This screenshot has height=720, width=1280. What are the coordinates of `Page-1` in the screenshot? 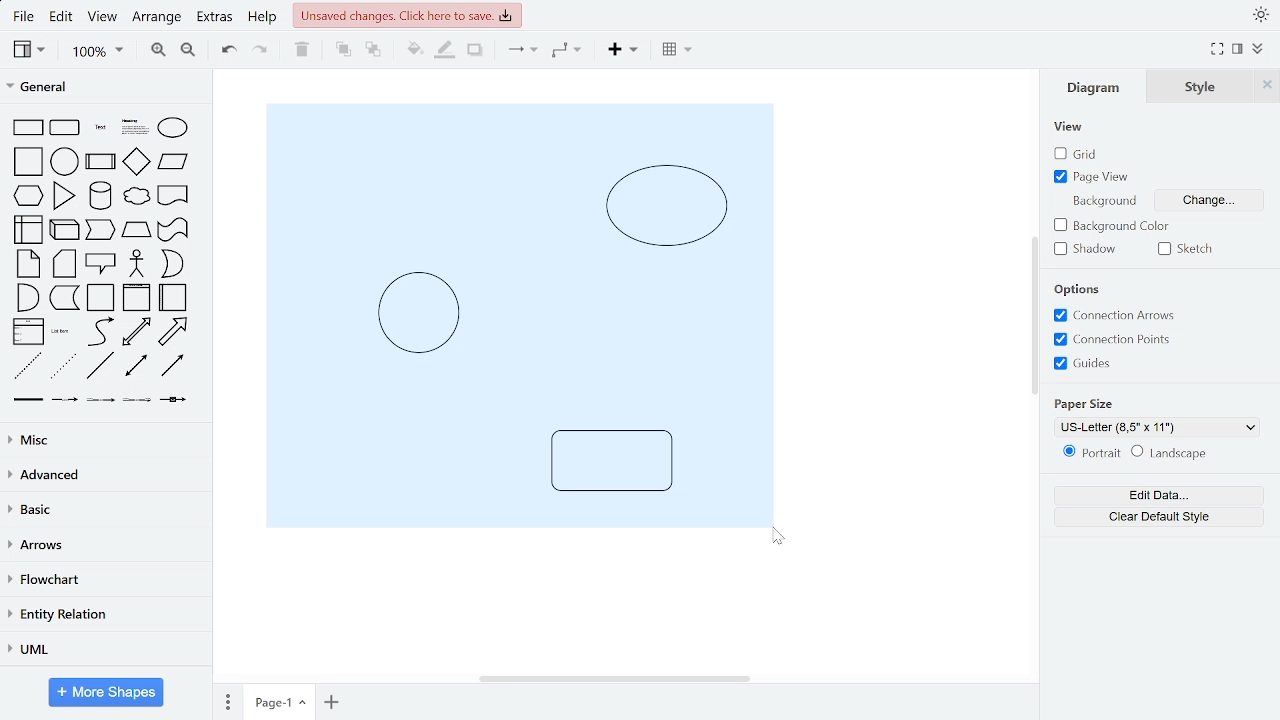 It's located at (279, 701).